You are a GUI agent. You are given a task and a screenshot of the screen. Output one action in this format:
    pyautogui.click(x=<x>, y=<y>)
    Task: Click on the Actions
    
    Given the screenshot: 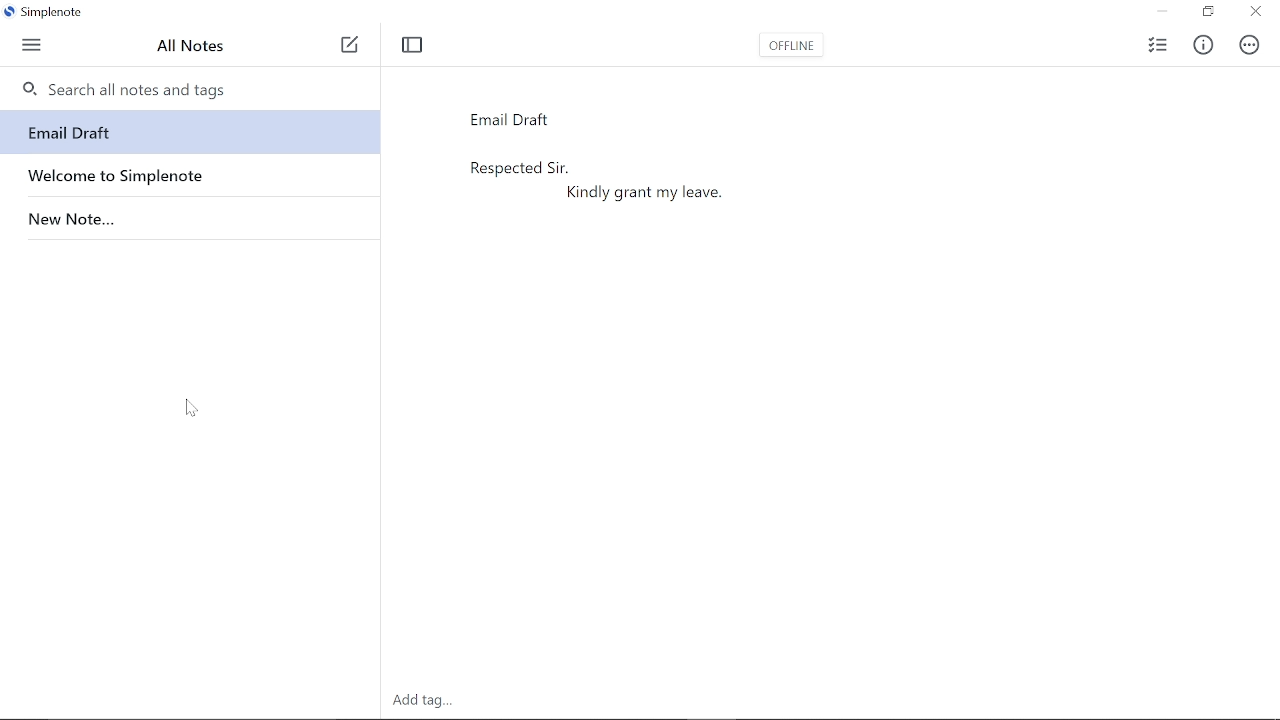 What is the action you would take?
    pyautogui.click(x=1246, y=45)
    